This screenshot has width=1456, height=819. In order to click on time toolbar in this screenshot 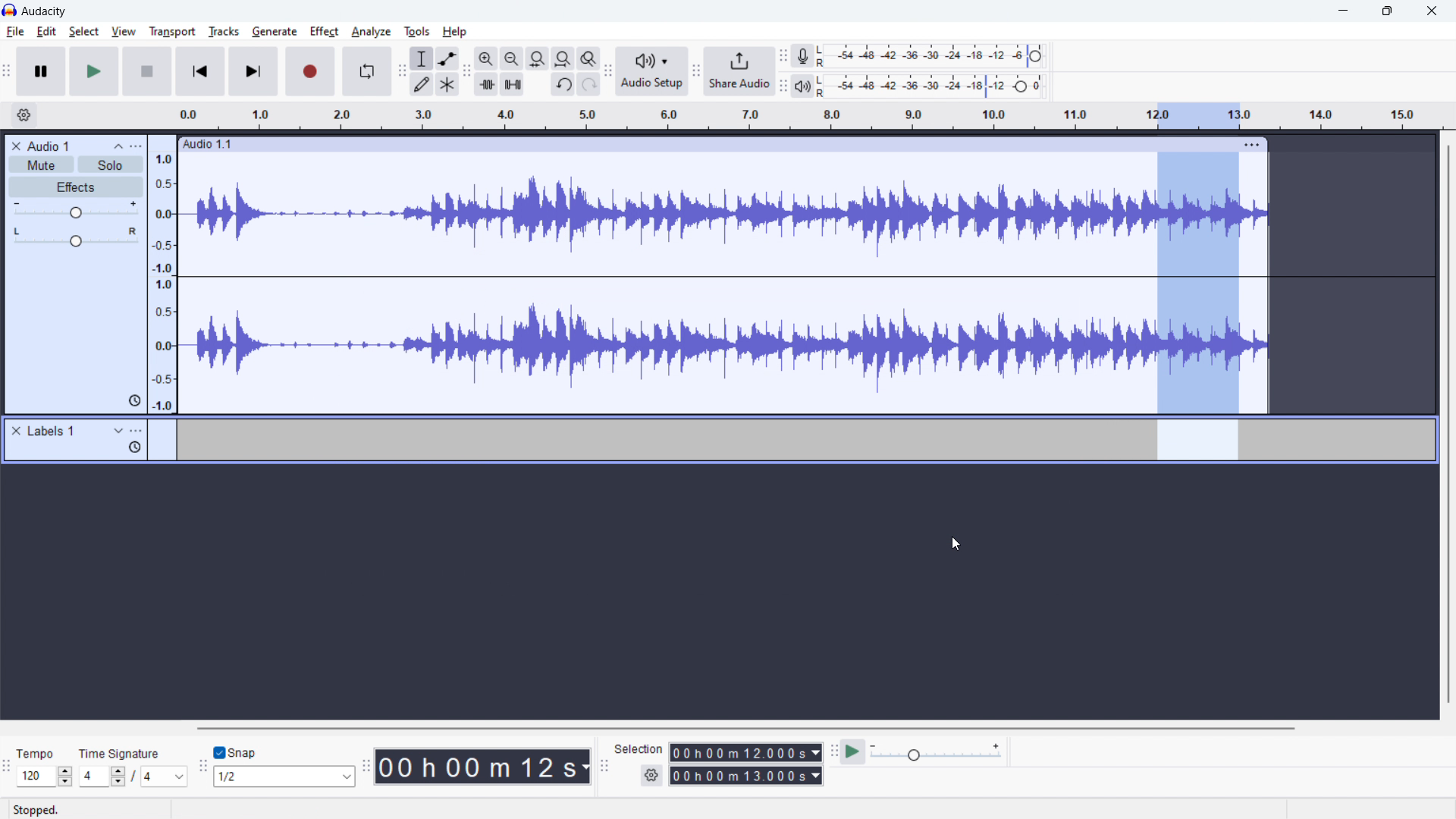, I will do `click(366, 768)`.